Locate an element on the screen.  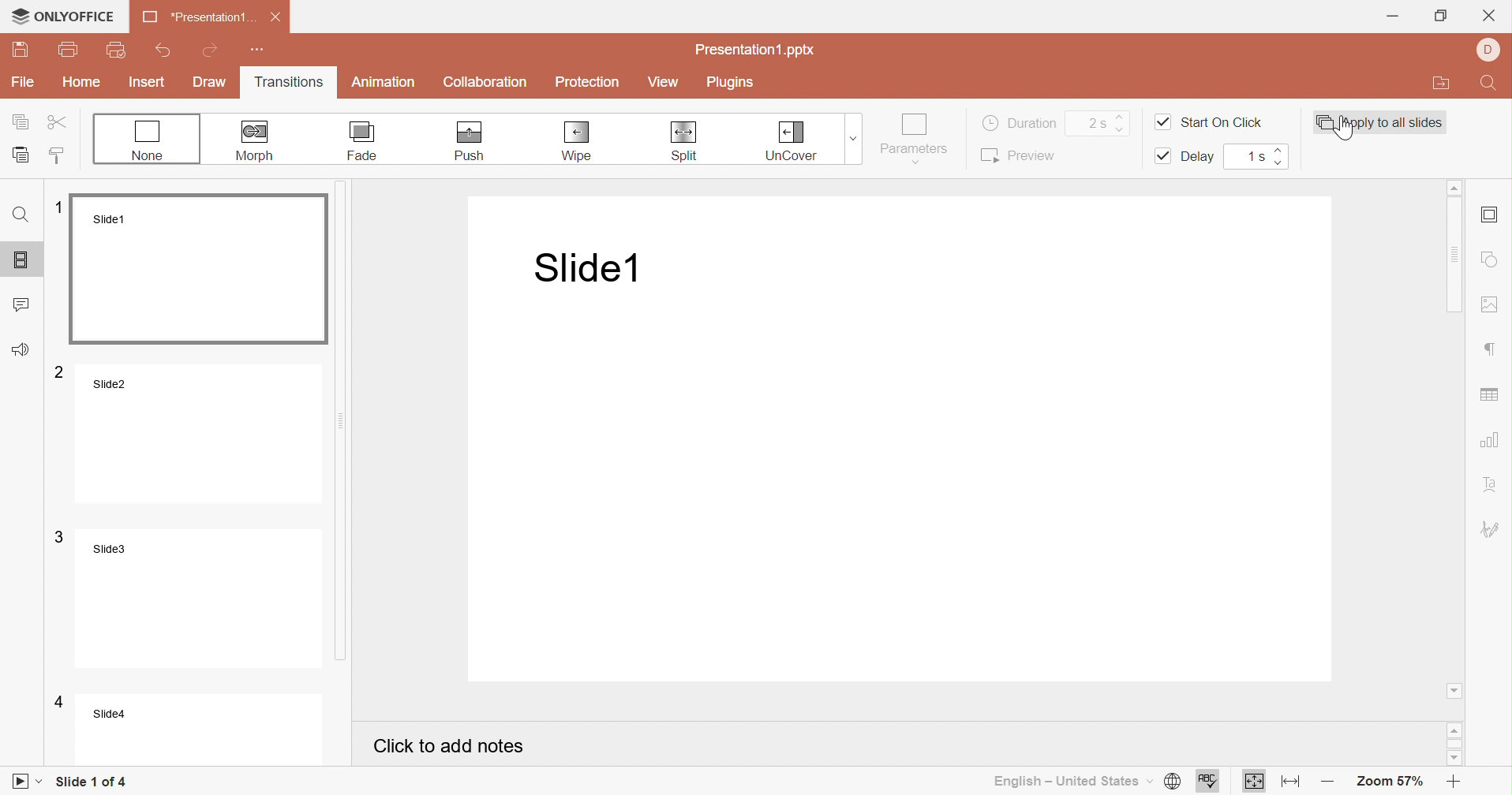
Insert chart is located at coordinates (1491, 440).